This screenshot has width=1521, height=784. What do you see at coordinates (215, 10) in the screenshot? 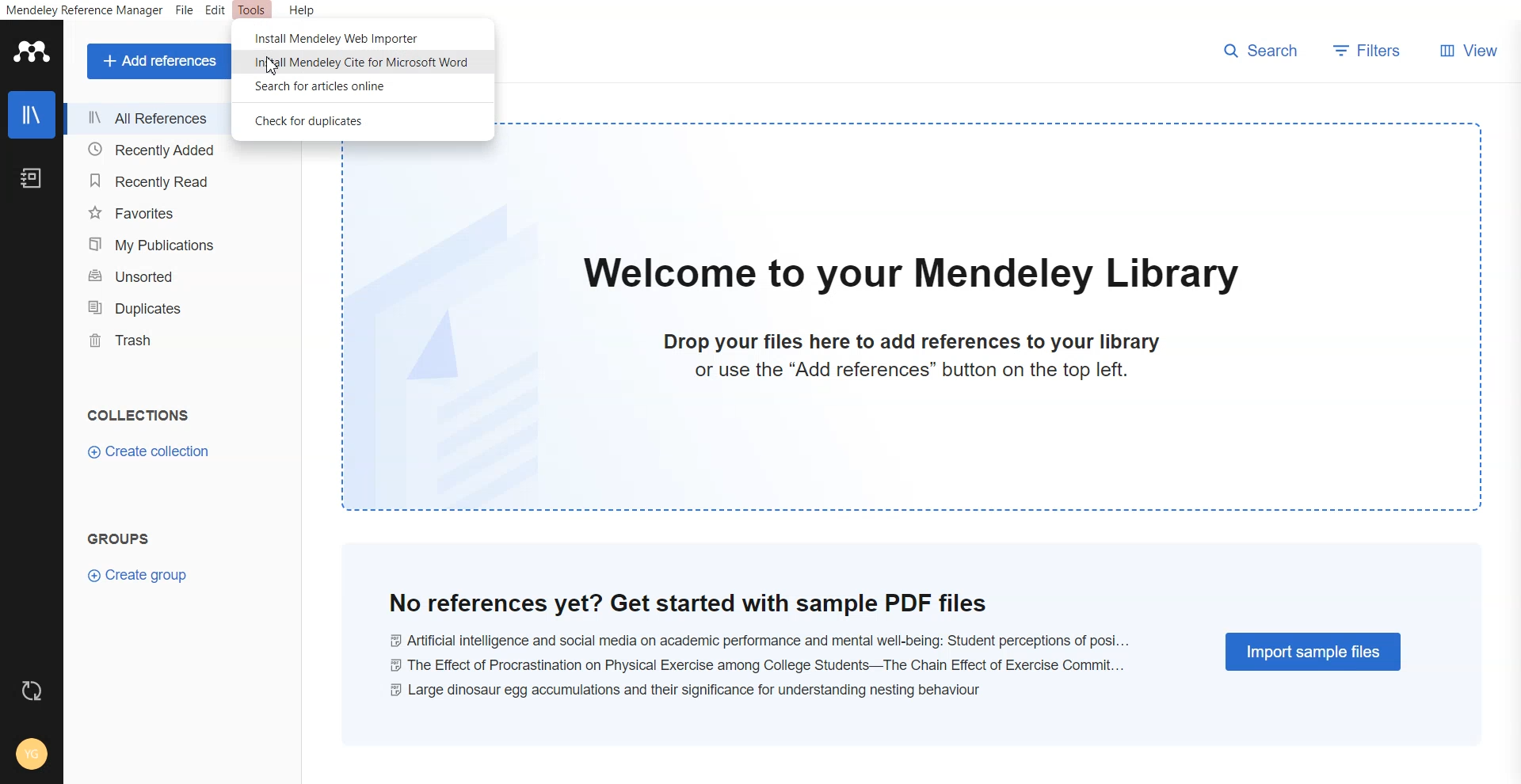
I see `Edit` at bounding box center [215, 10].